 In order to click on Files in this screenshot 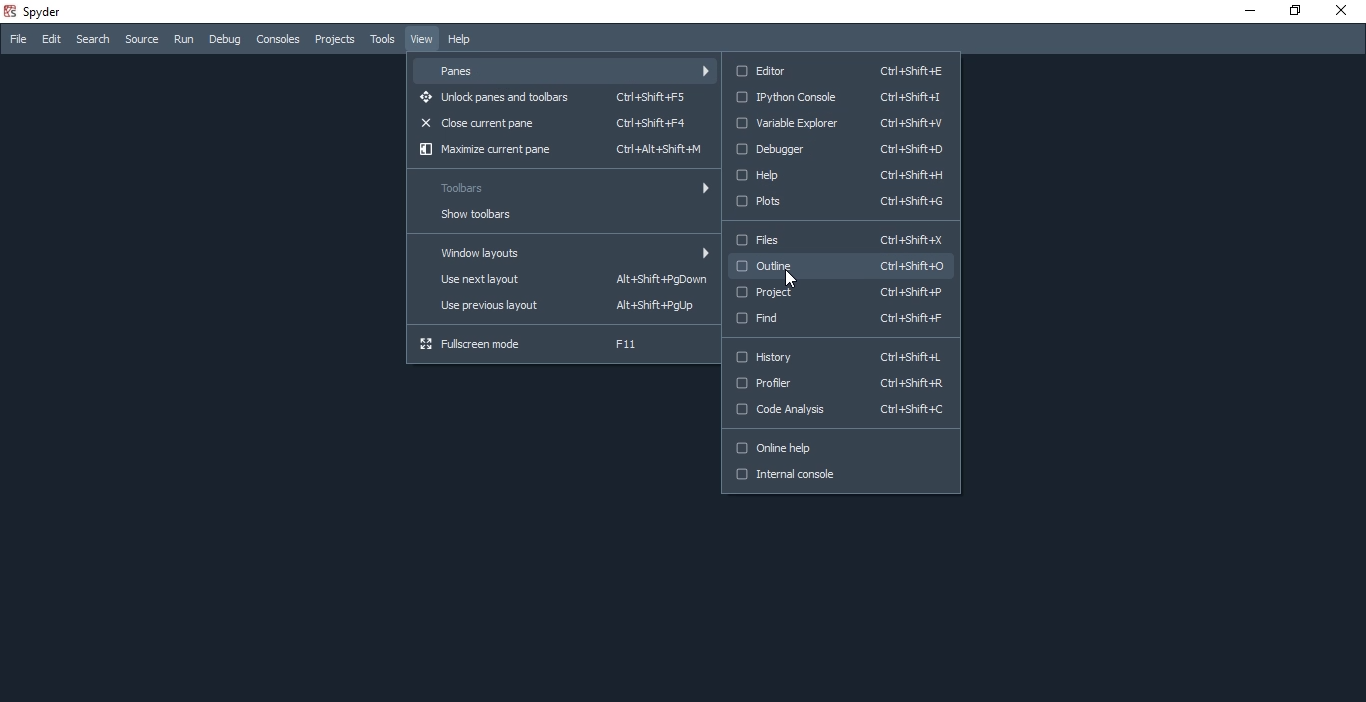, I will do `click(841, 240)`.